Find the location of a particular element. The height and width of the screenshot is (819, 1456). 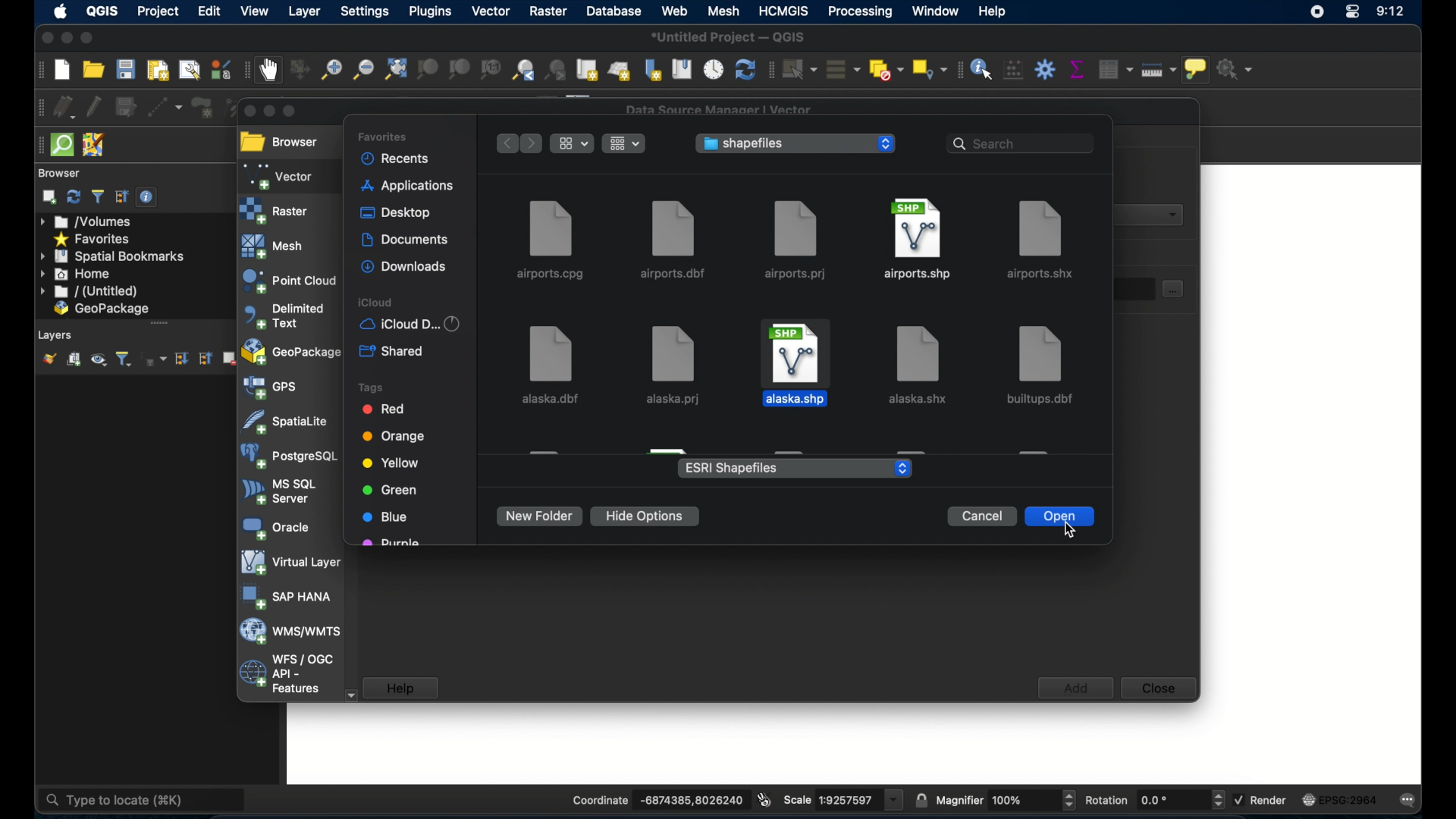

current crs is located at coordinates (1339, 801).